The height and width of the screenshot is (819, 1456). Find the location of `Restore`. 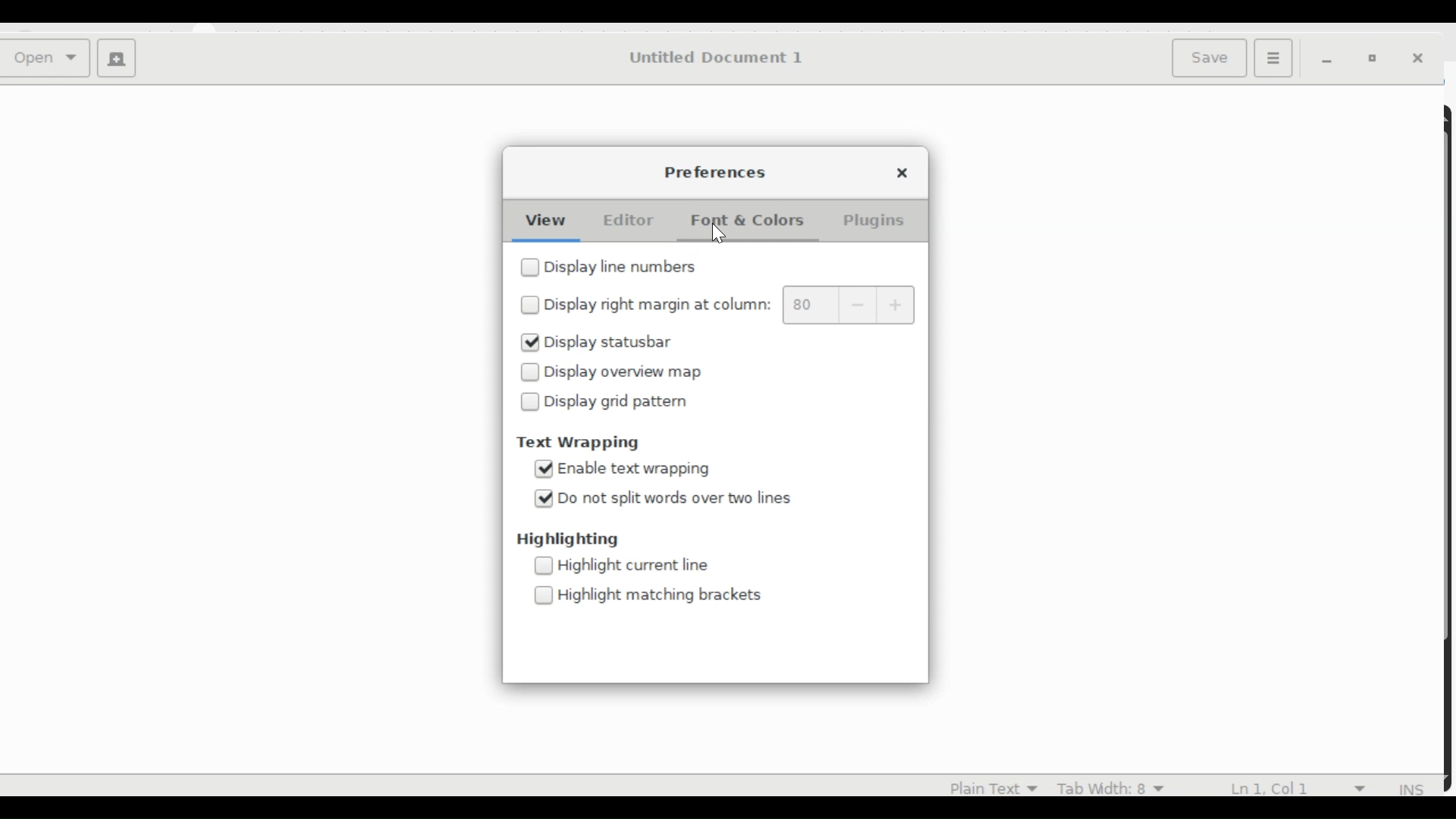

Restore is located at coordinates (1376, 59).